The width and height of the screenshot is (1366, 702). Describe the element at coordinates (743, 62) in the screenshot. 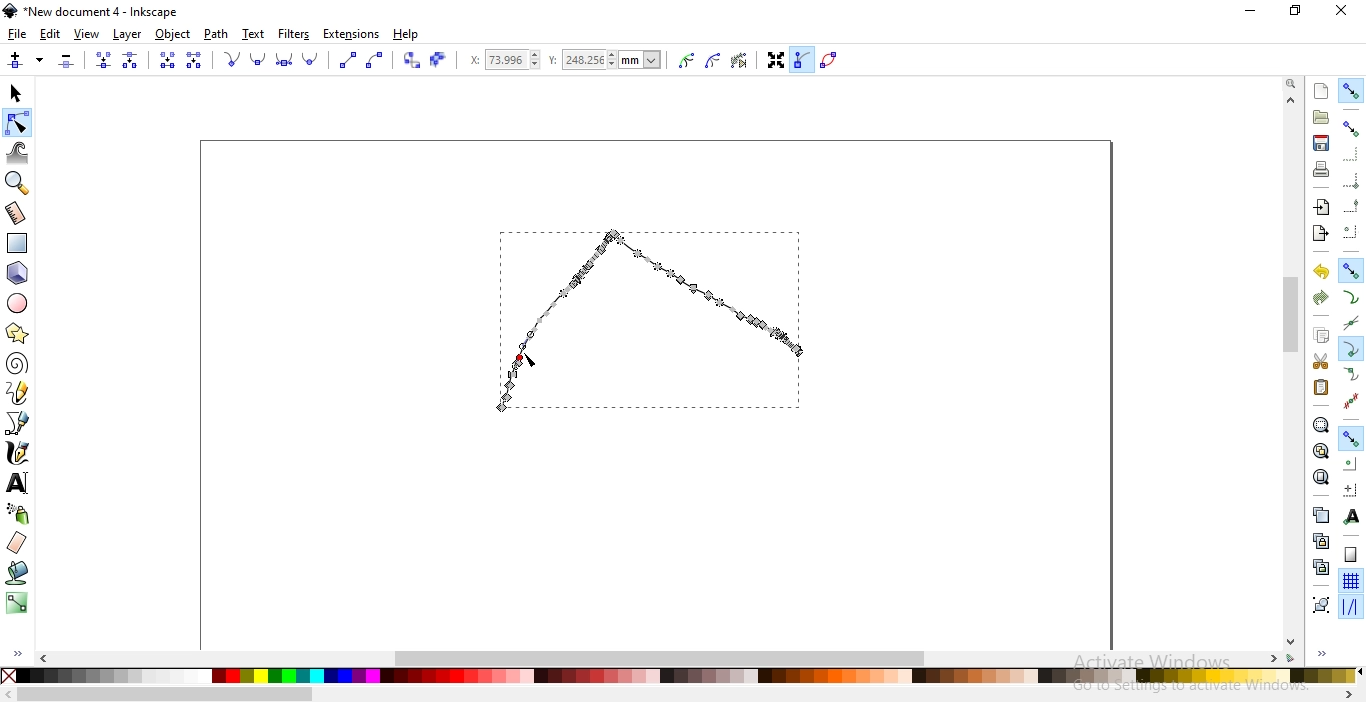

I see `show next editable path effect parameter` at that location.